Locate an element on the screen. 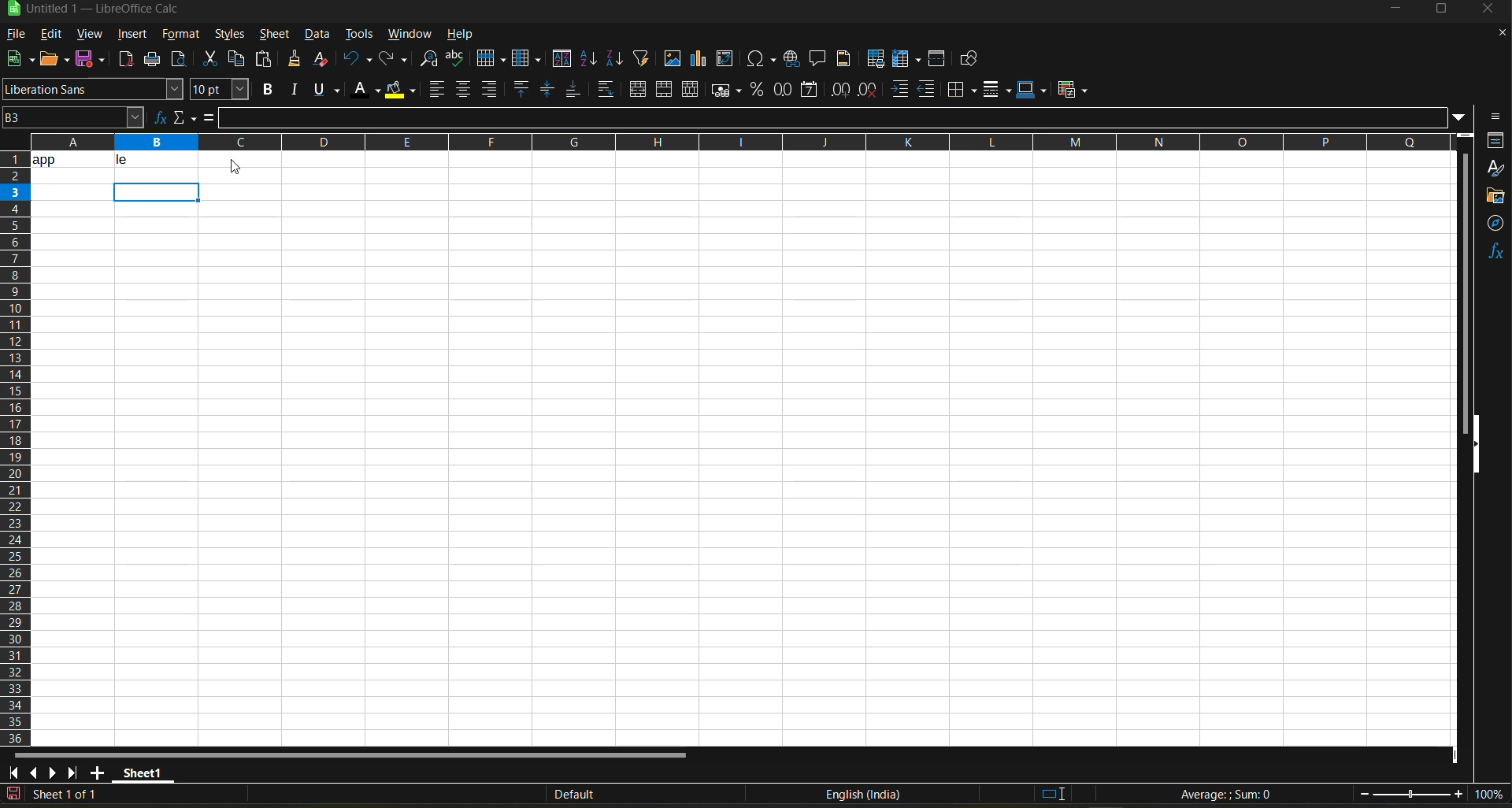  functions is located at coordinates (1495, 251).